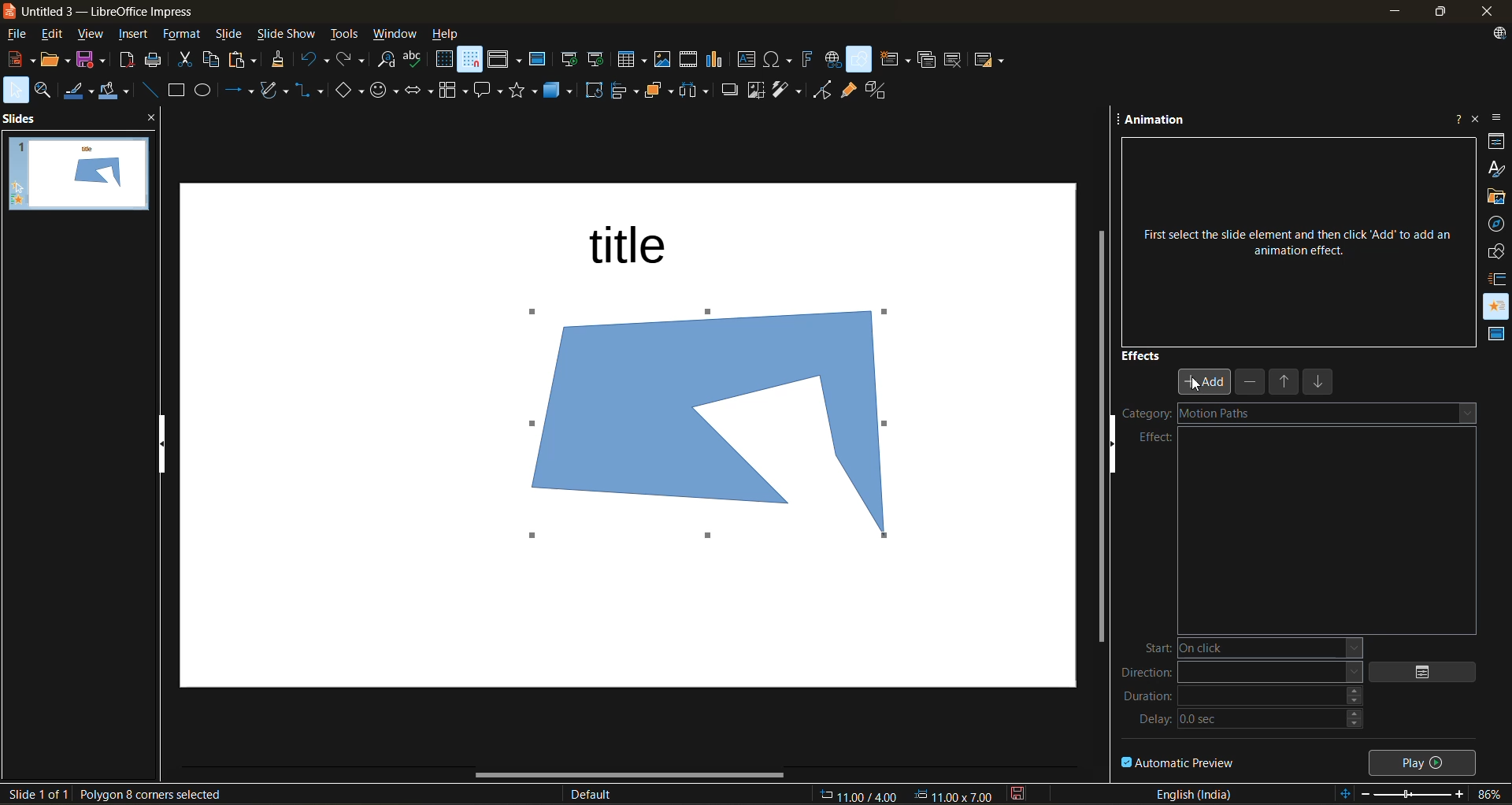  Describe the element at coordinates (595, 92) in the screenshot. I see `rotate` at that location.